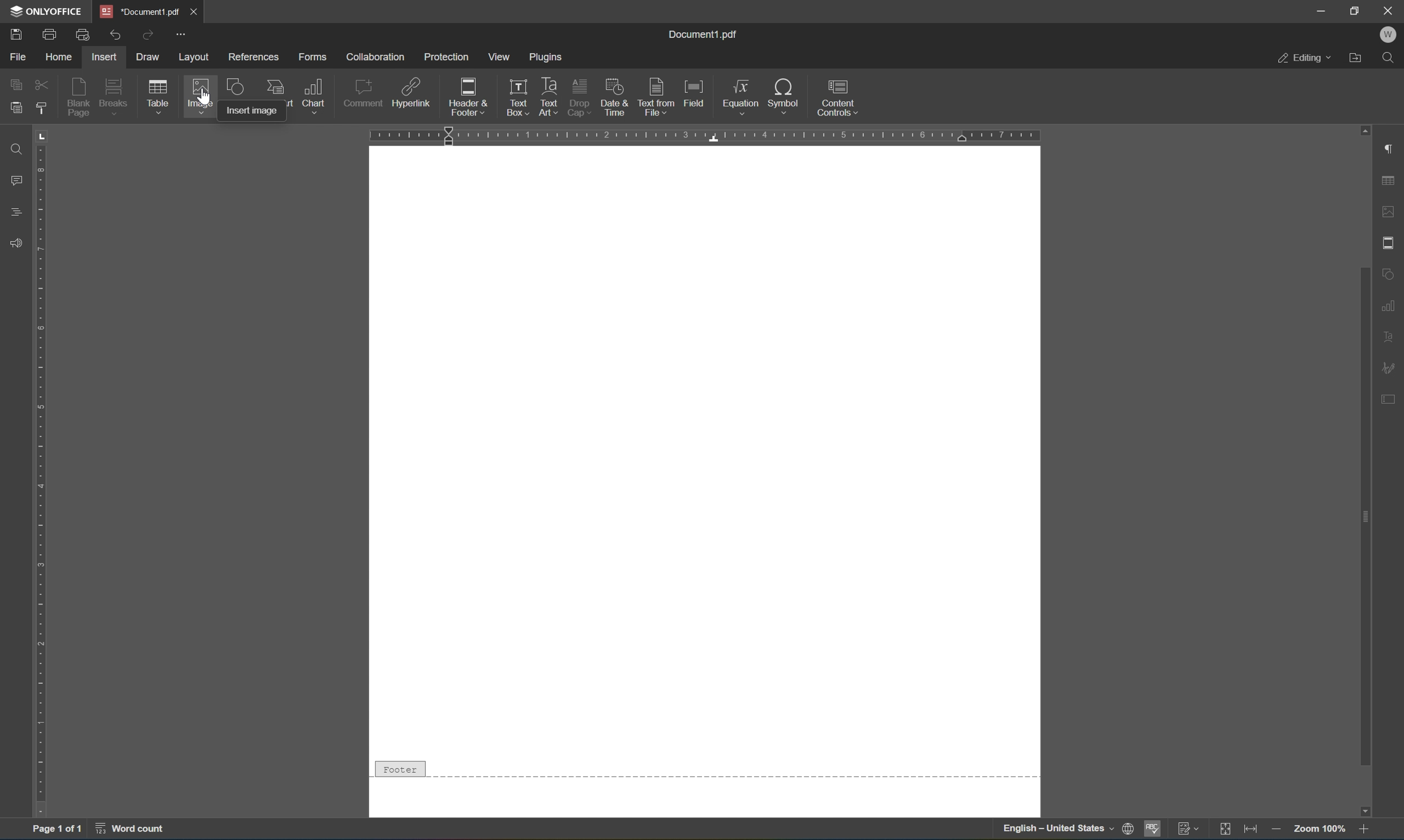 Image resolution: width=1404 pixels, height=840 pixels. Describe the element at coordinates (547, 55) in the screenshot. I see `plugins` at that location.